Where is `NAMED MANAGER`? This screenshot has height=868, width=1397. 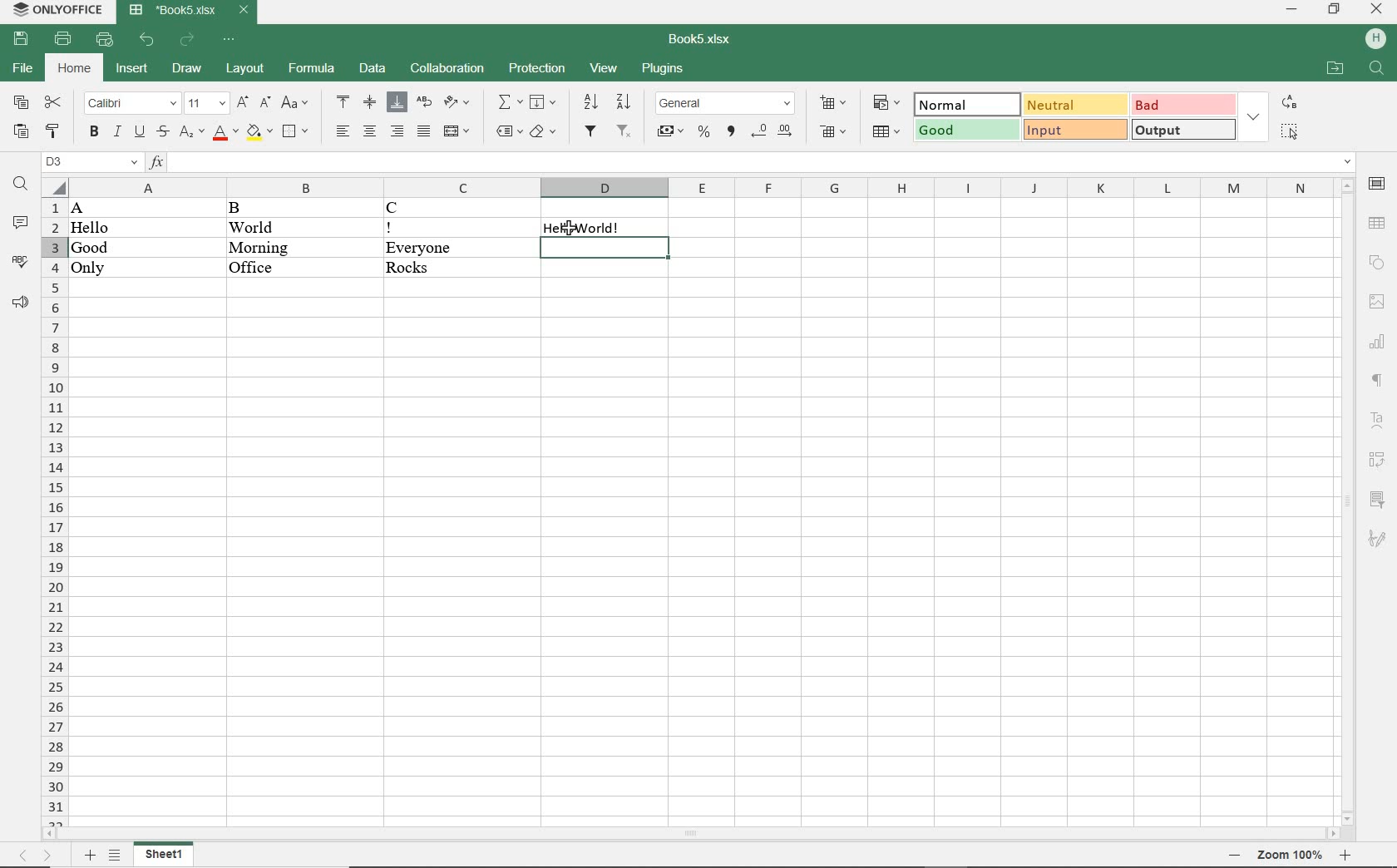
NAMED MANAGER is located at coordinates (91, 162).